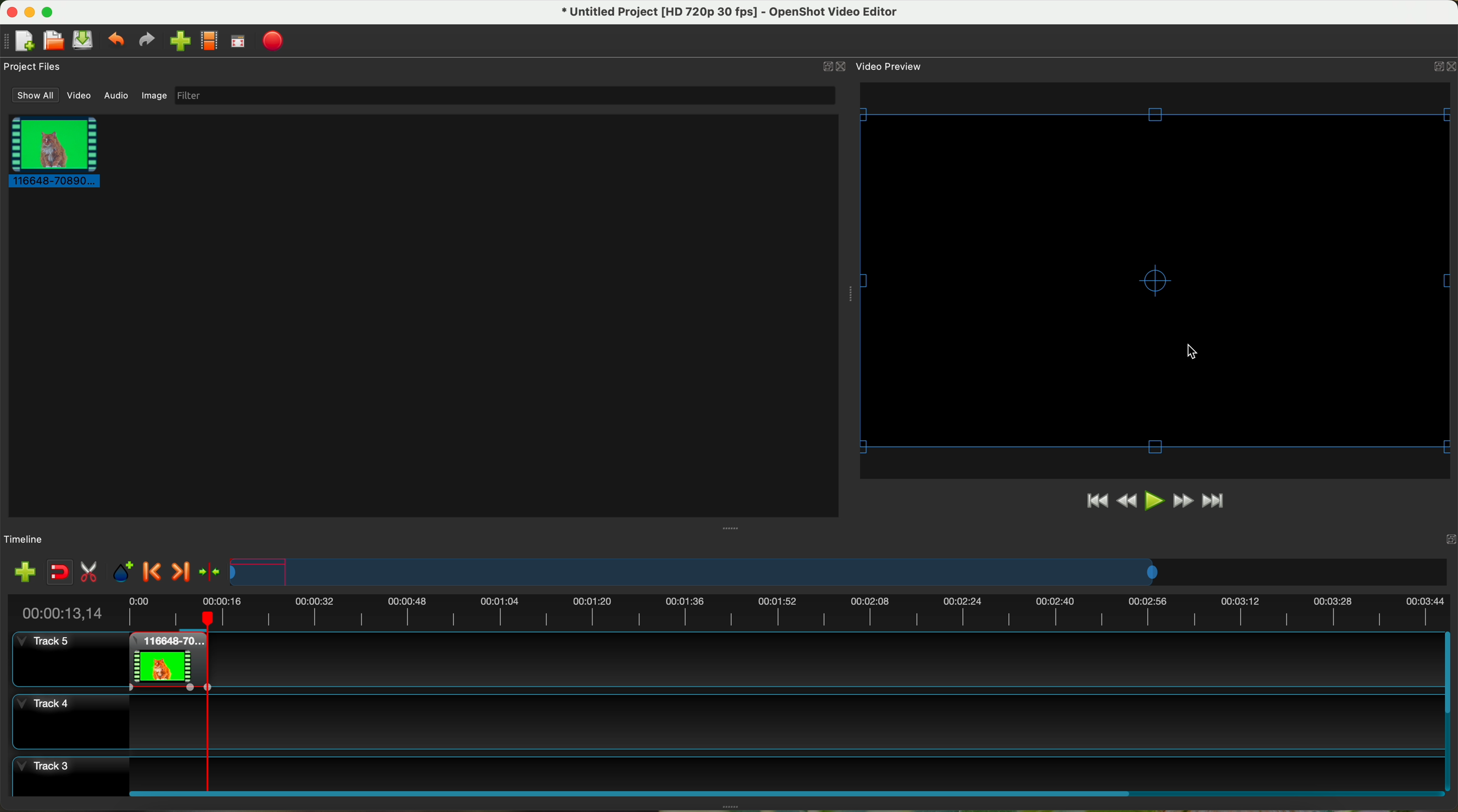  Describe the element at coordinates (273, 42) in the screenshot. I see `export video` at that location.